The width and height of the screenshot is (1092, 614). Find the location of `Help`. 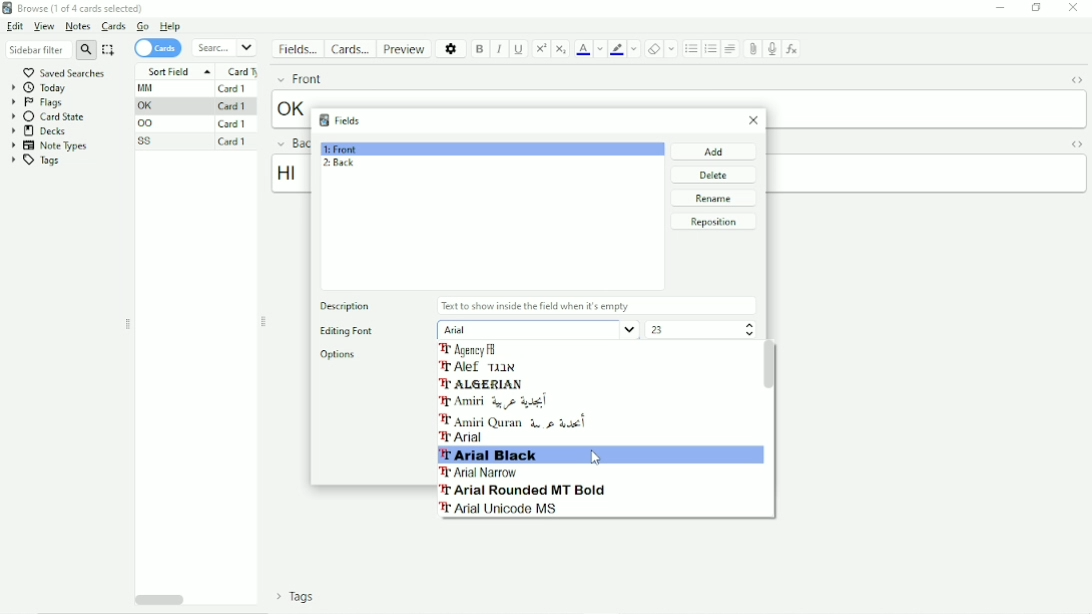

Help is located at coordinates (171, 26).